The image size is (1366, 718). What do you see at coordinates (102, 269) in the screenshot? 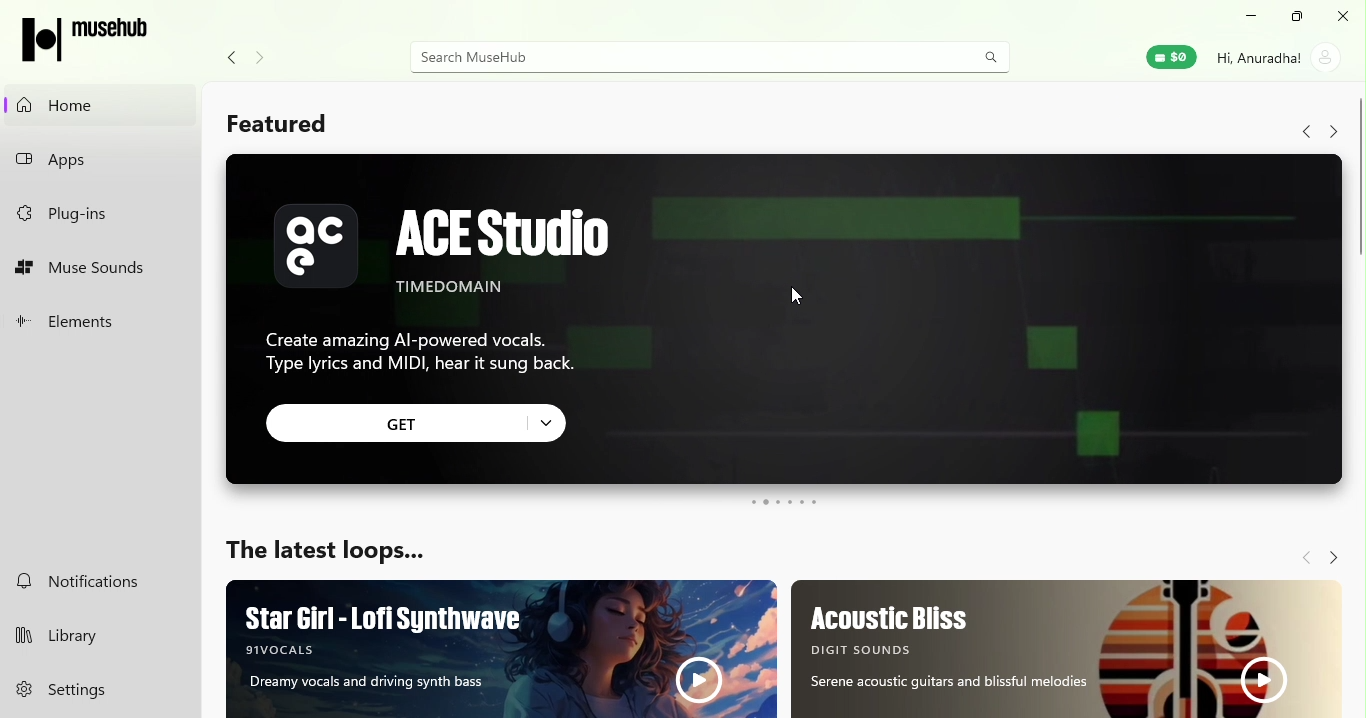
I see `muse sounds` at bounding box center [102, 269].